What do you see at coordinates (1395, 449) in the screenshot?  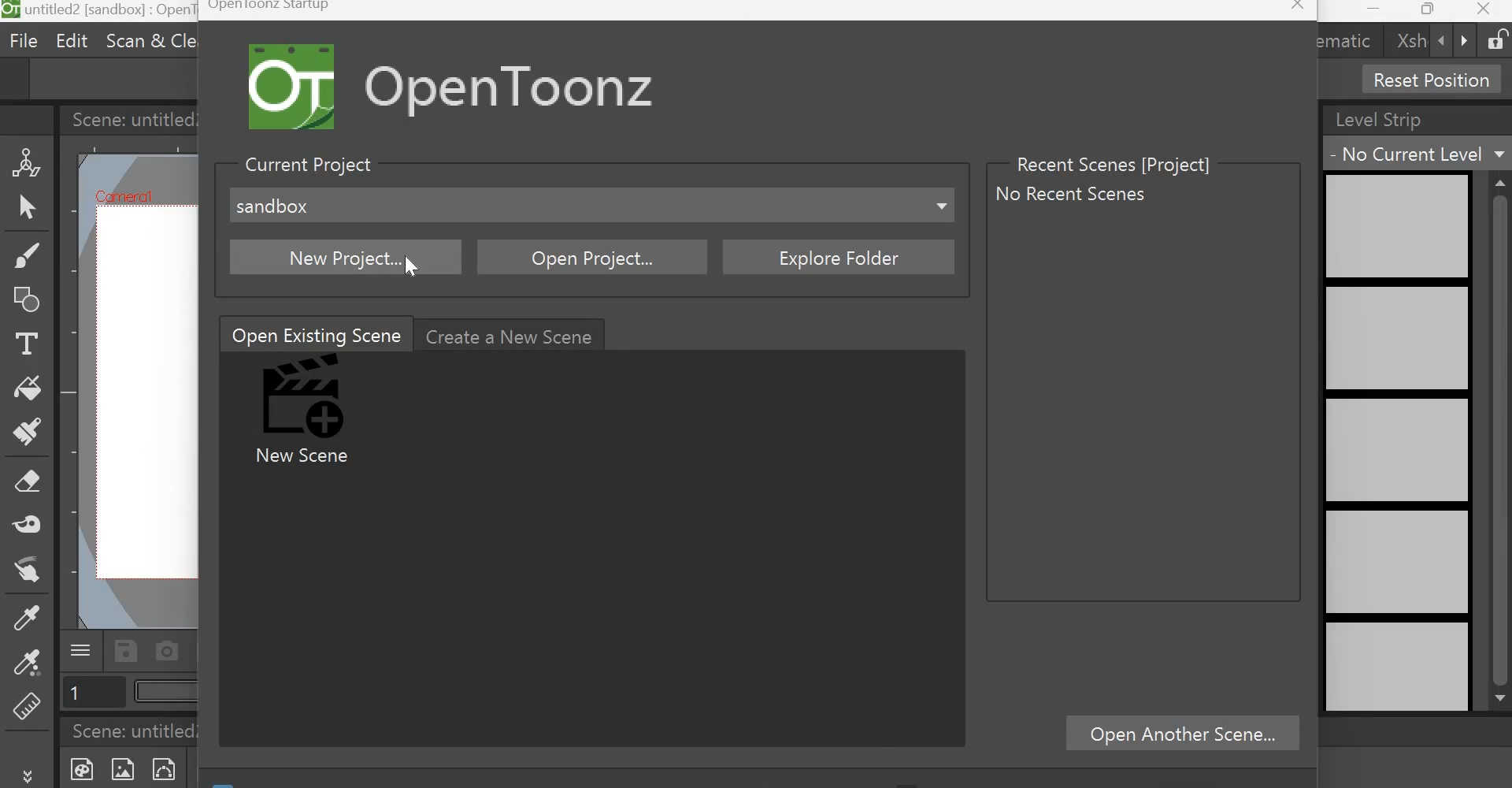 I see `level strip preview` at bounding box center [1395, 449].